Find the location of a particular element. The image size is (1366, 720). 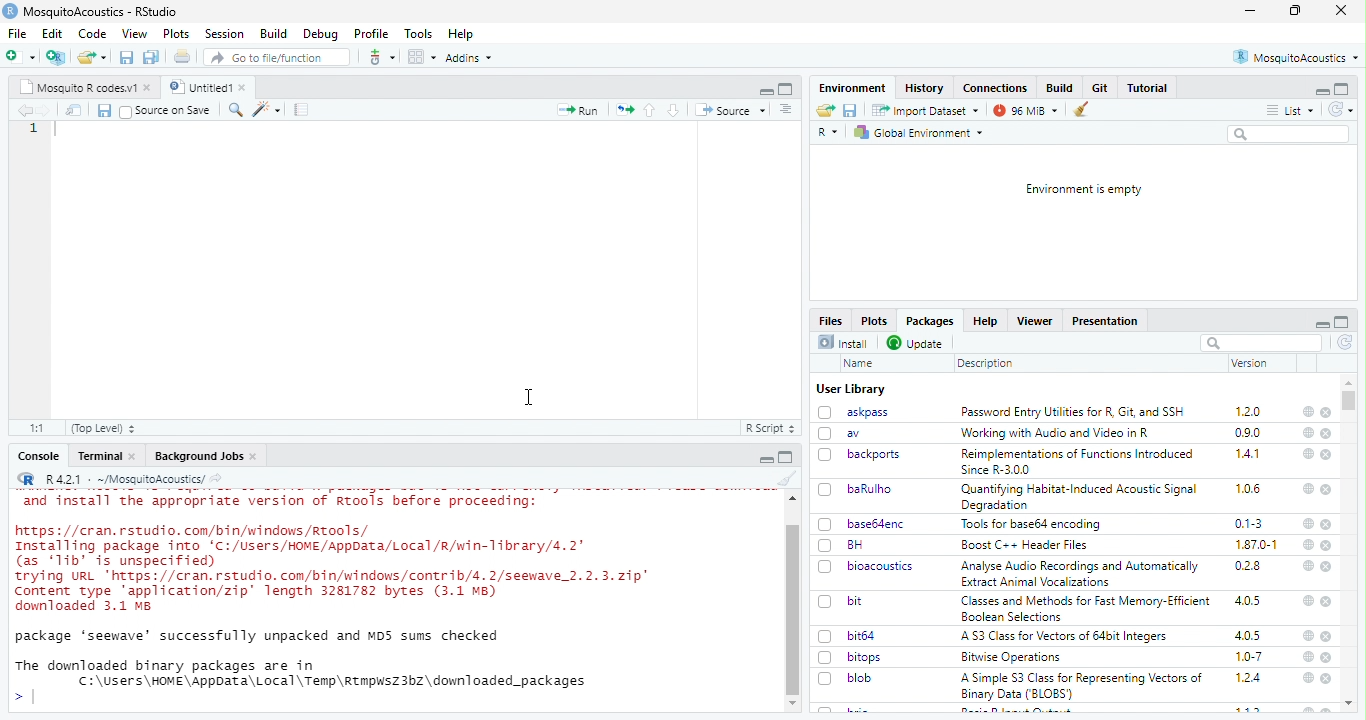

(Top Level) is located at coordinates (104, 429).